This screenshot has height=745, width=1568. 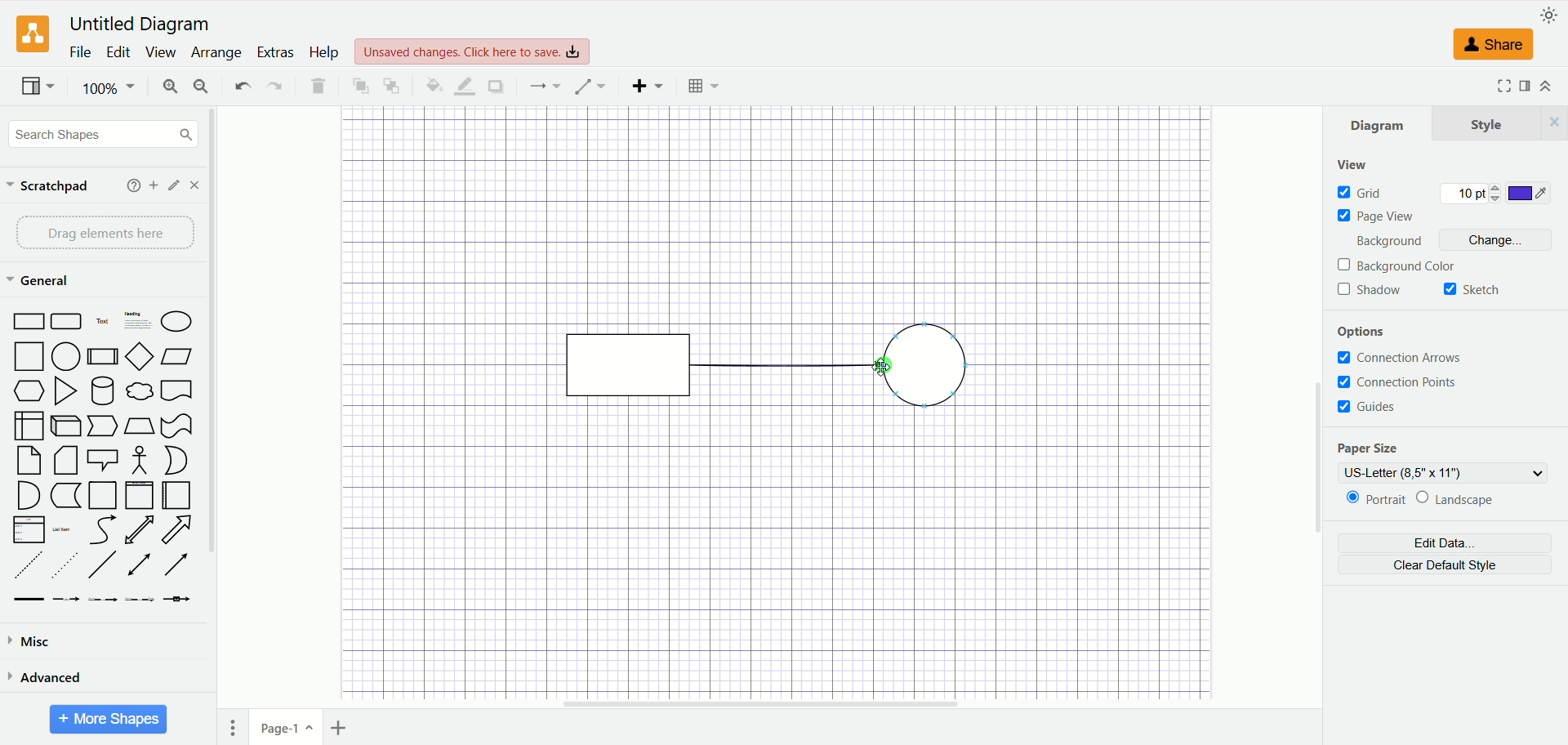 What do you see at coordinates (239, 85) in the screenshot?
I see `undo` at bounding box center [239, 85].